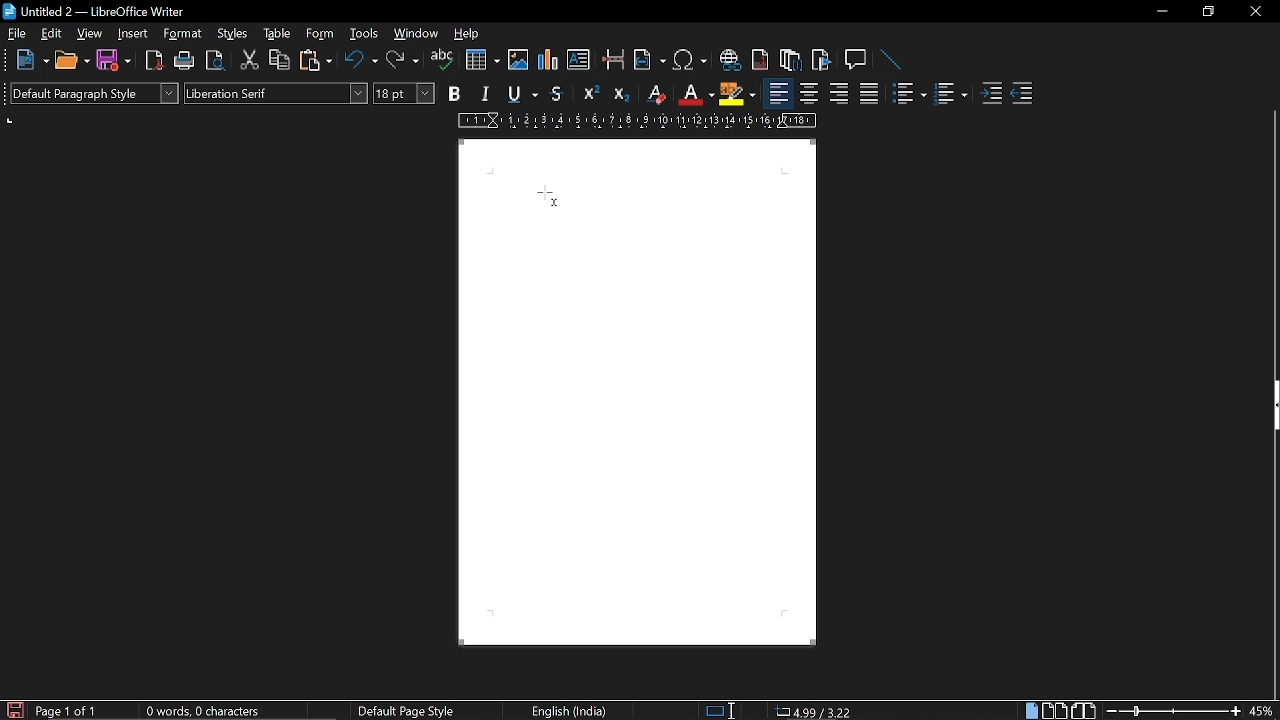 The image size is (1280, 720). Describe the element at coordinates (822, 60) in the screenshot. I see `insert bookmark` at that location.